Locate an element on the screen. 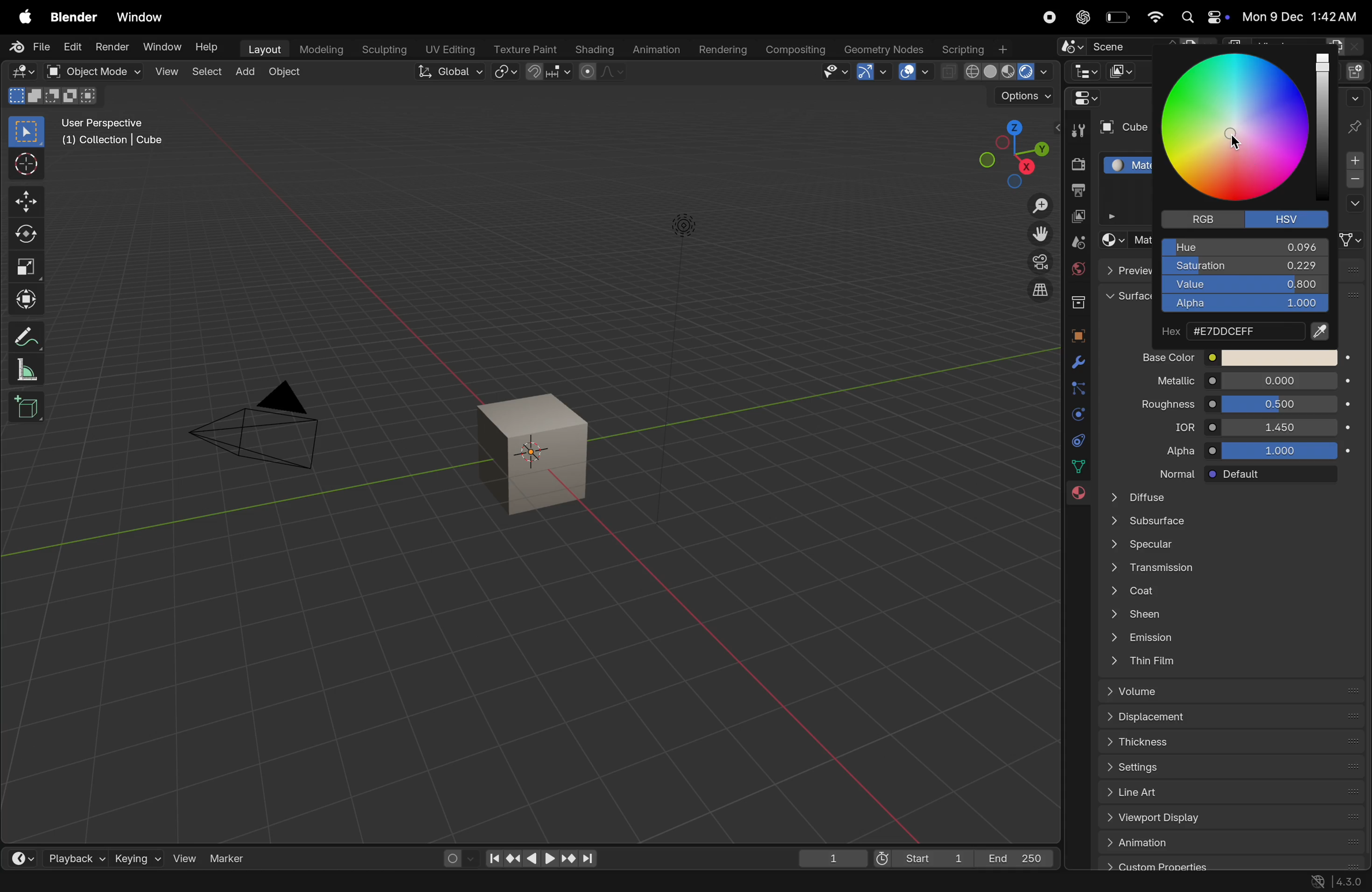 The image size is (1372, 892). layout is located at coordinates (263, 50).